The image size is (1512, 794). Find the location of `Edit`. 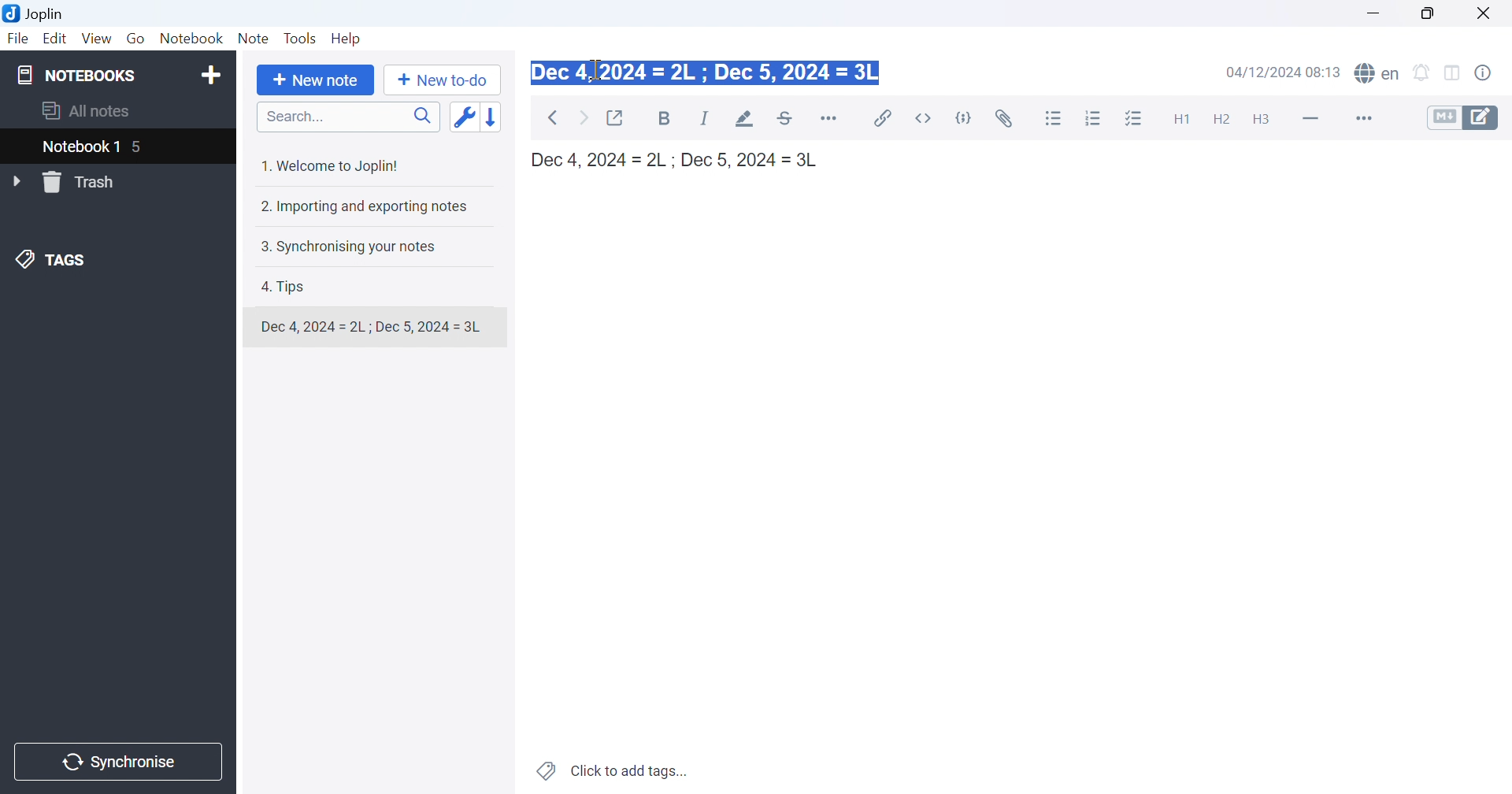

Edit is located at coordinates (56, 39).